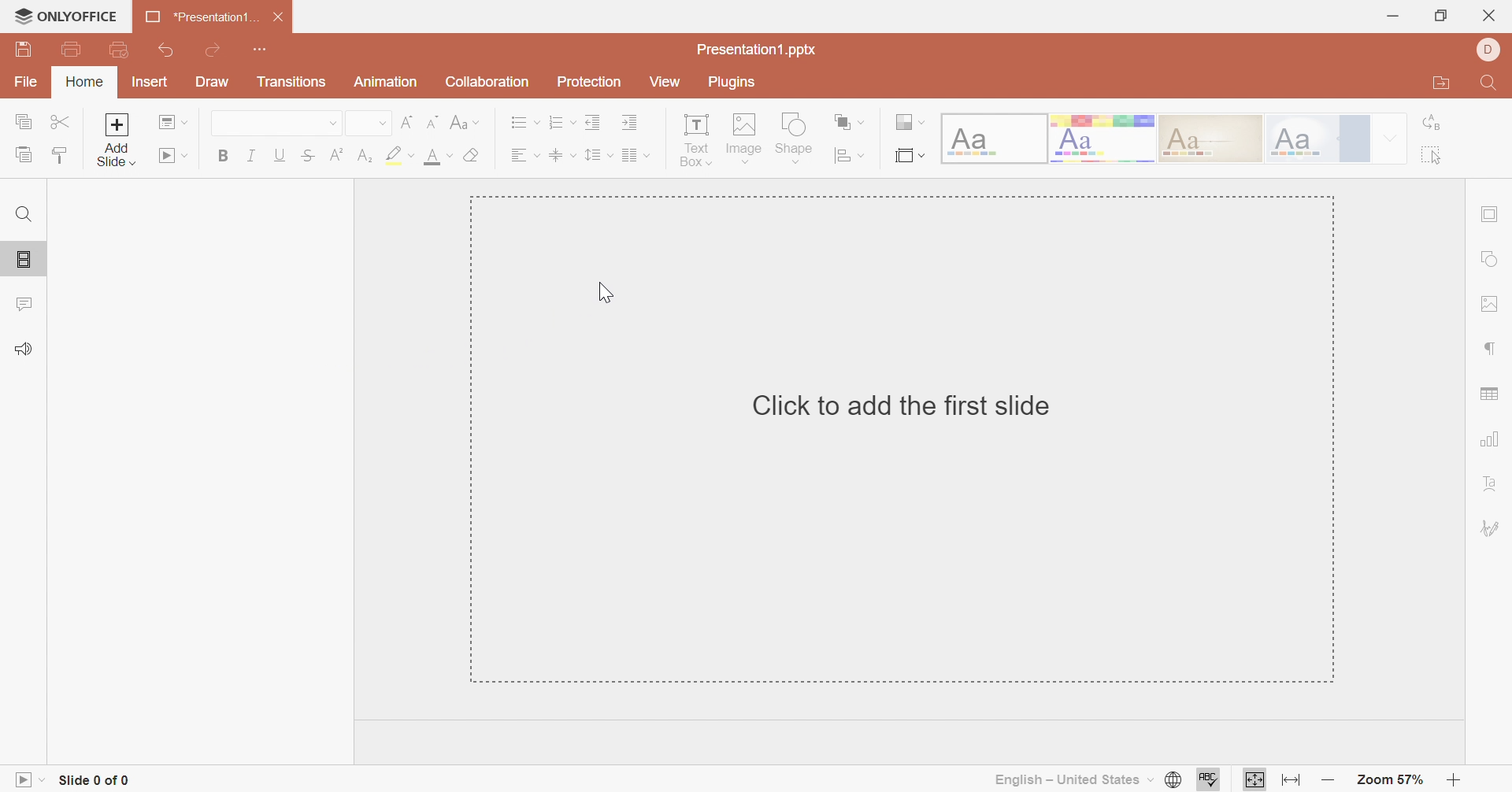  Describe the element at coordinates (1151, 777) in the screenshot. I see `Drop Down` at that location.